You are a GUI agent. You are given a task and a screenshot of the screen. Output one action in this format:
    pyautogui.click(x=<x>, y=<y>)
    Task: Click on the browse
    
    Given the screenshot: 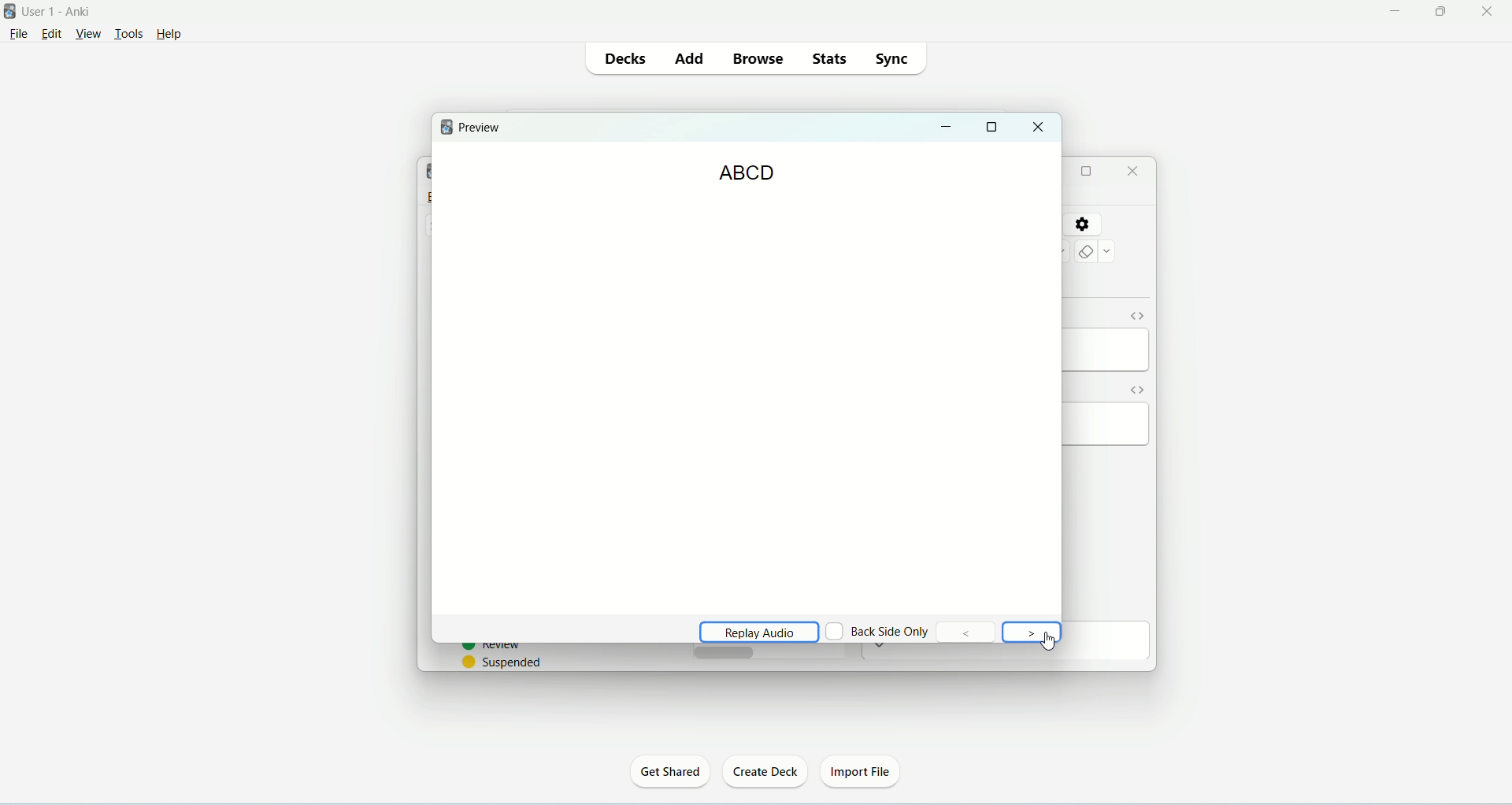 What is the action you would take?
    pyautogui.click(x=758, y=58)
    